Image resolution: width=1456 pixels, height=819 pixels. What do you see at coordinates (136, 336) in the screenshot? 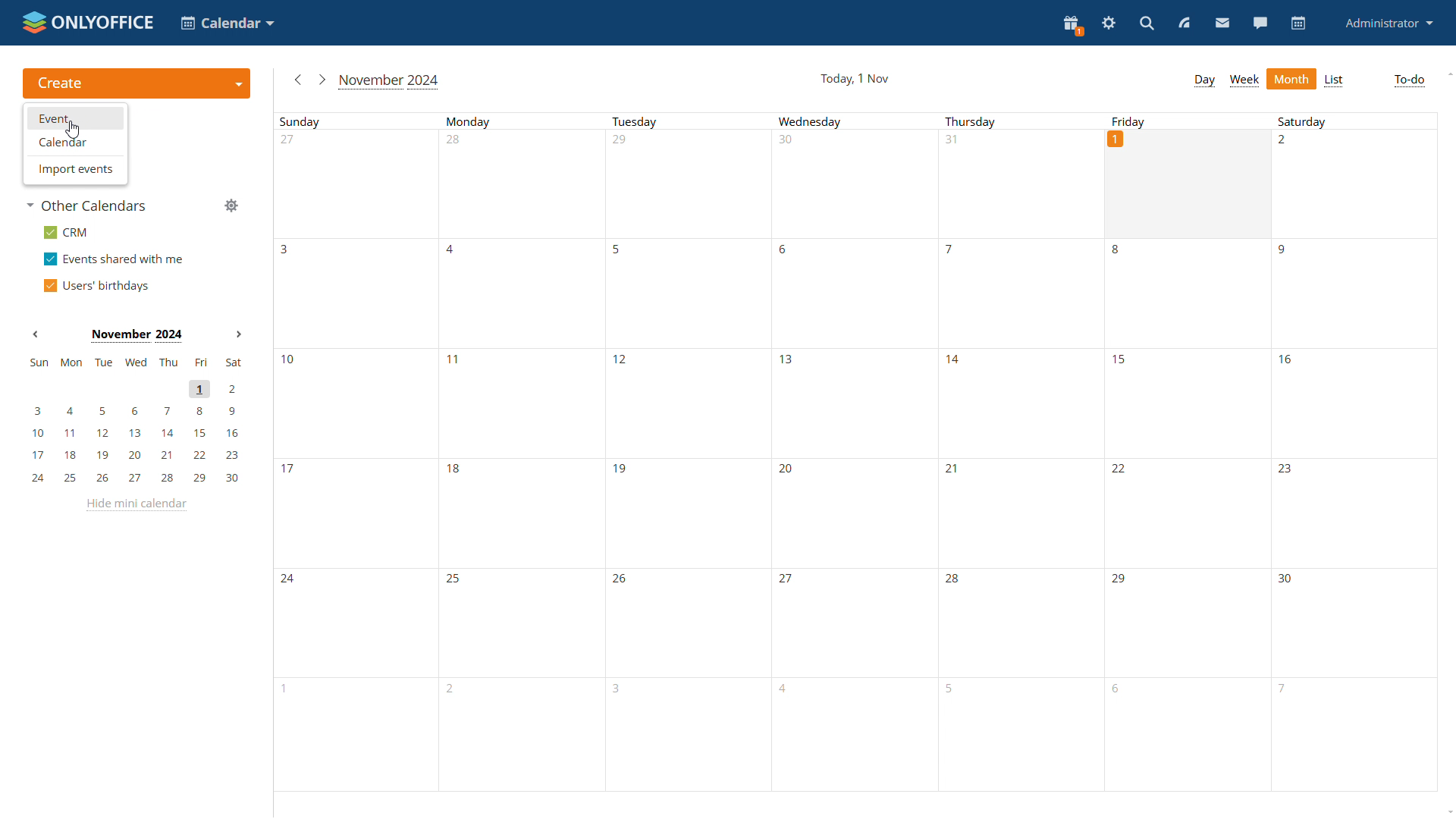
I see `Month on display` at bounding box center [136, 336].